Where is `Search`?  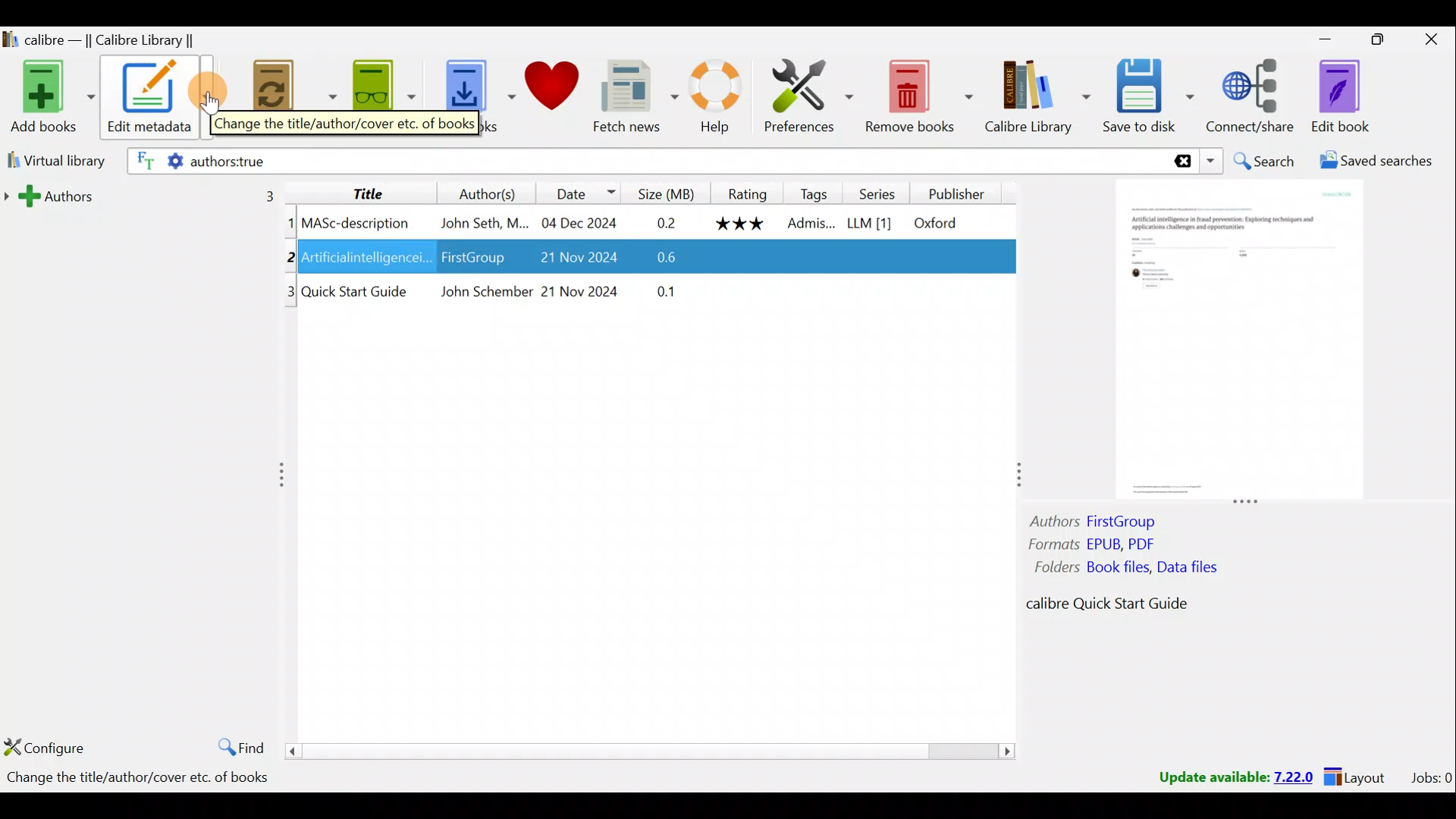 Search is located at coordinates (1263, 161).